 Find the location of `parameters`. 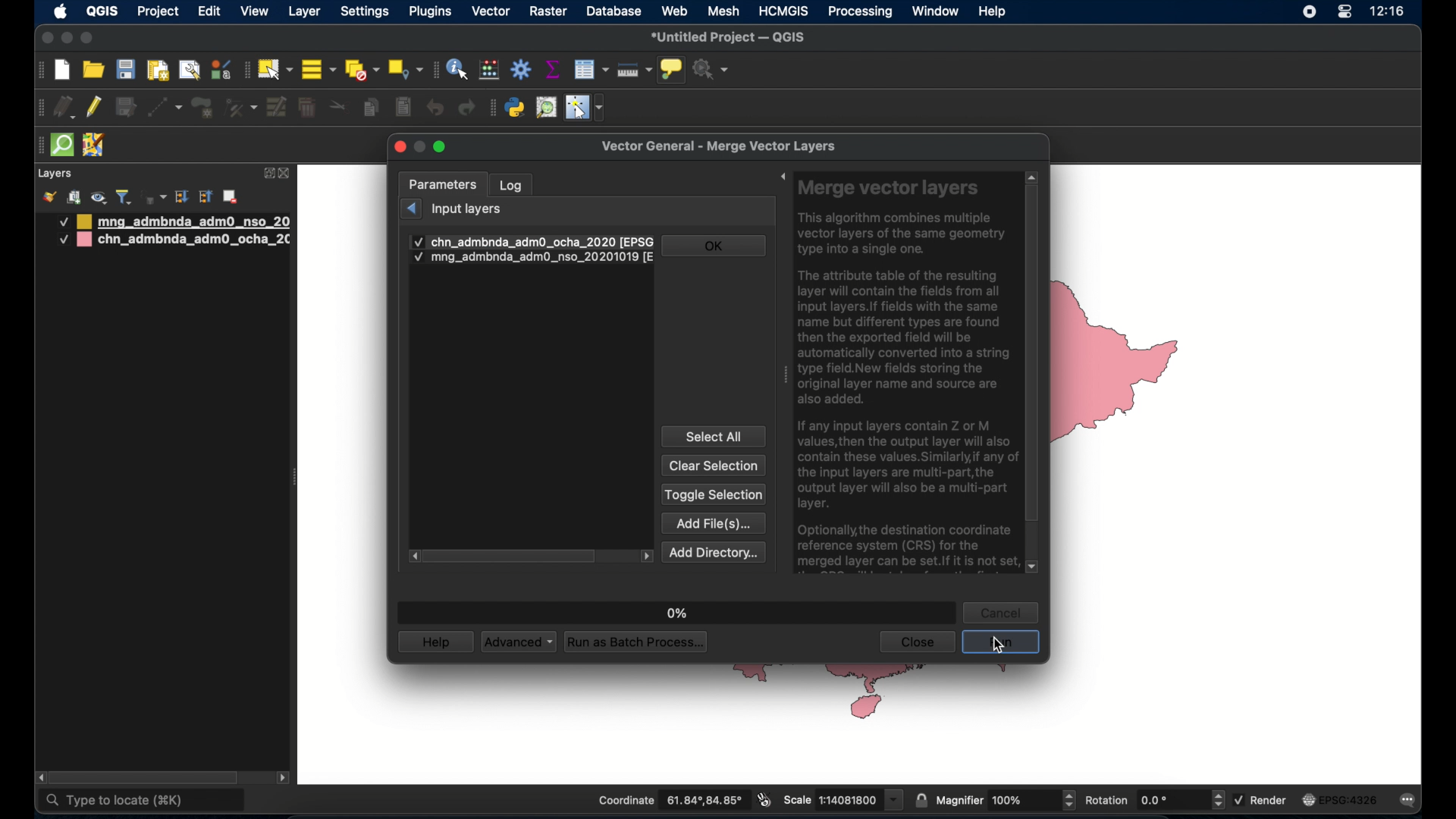

parameters is located at coordinates (443, 184).